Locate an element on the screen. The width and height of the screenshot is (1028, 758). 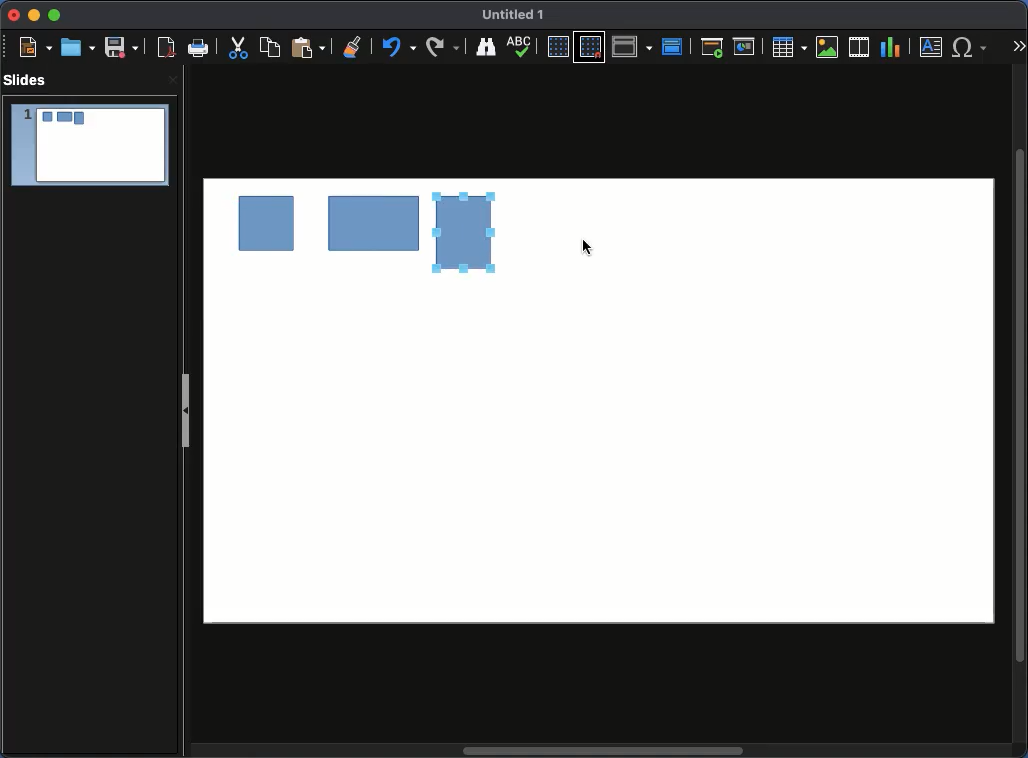
Copy is located at coordinates (270, 47).